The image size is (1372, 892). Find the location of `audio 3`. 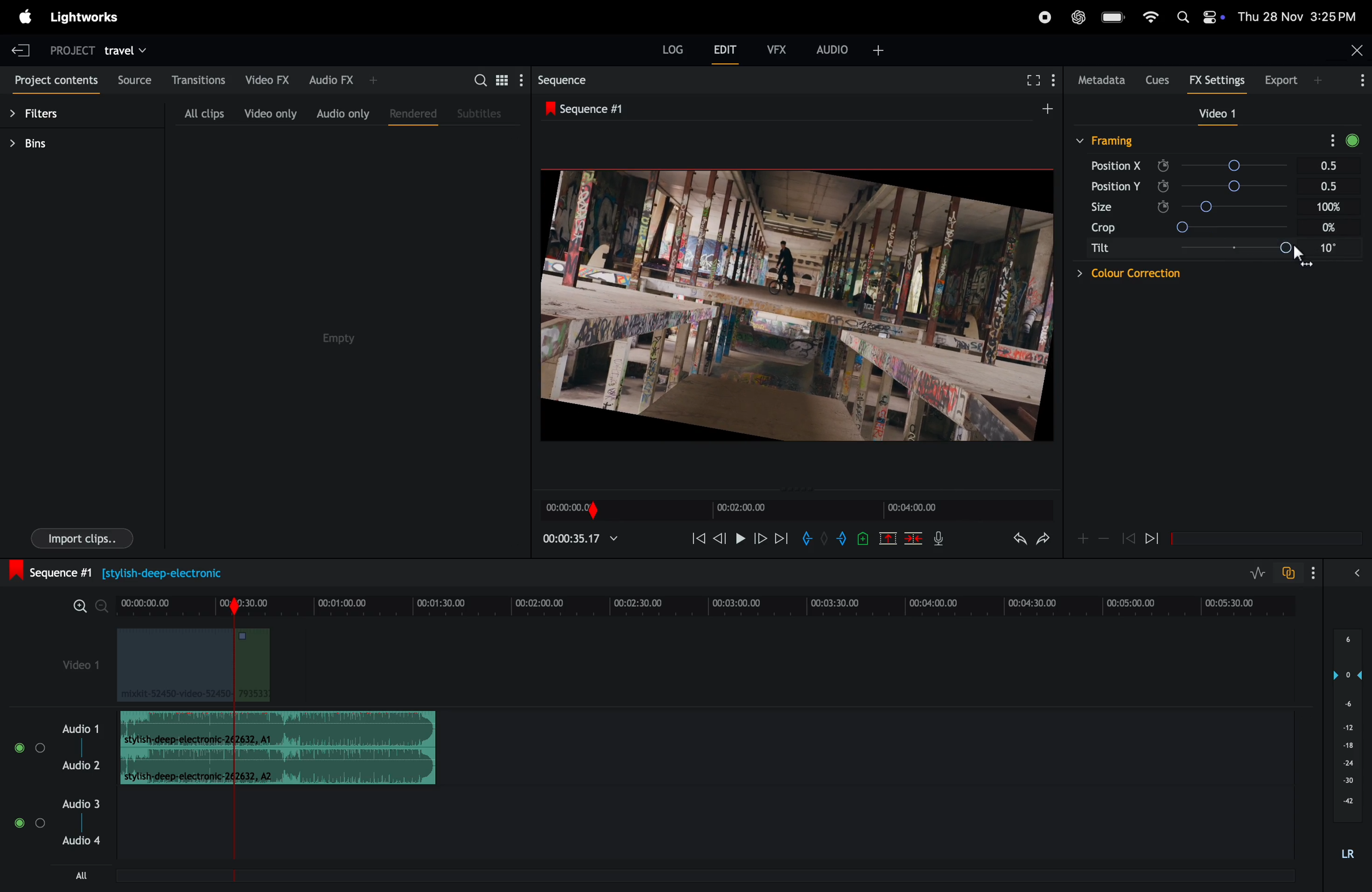

audio 3 is located at coordinates (57, 806).